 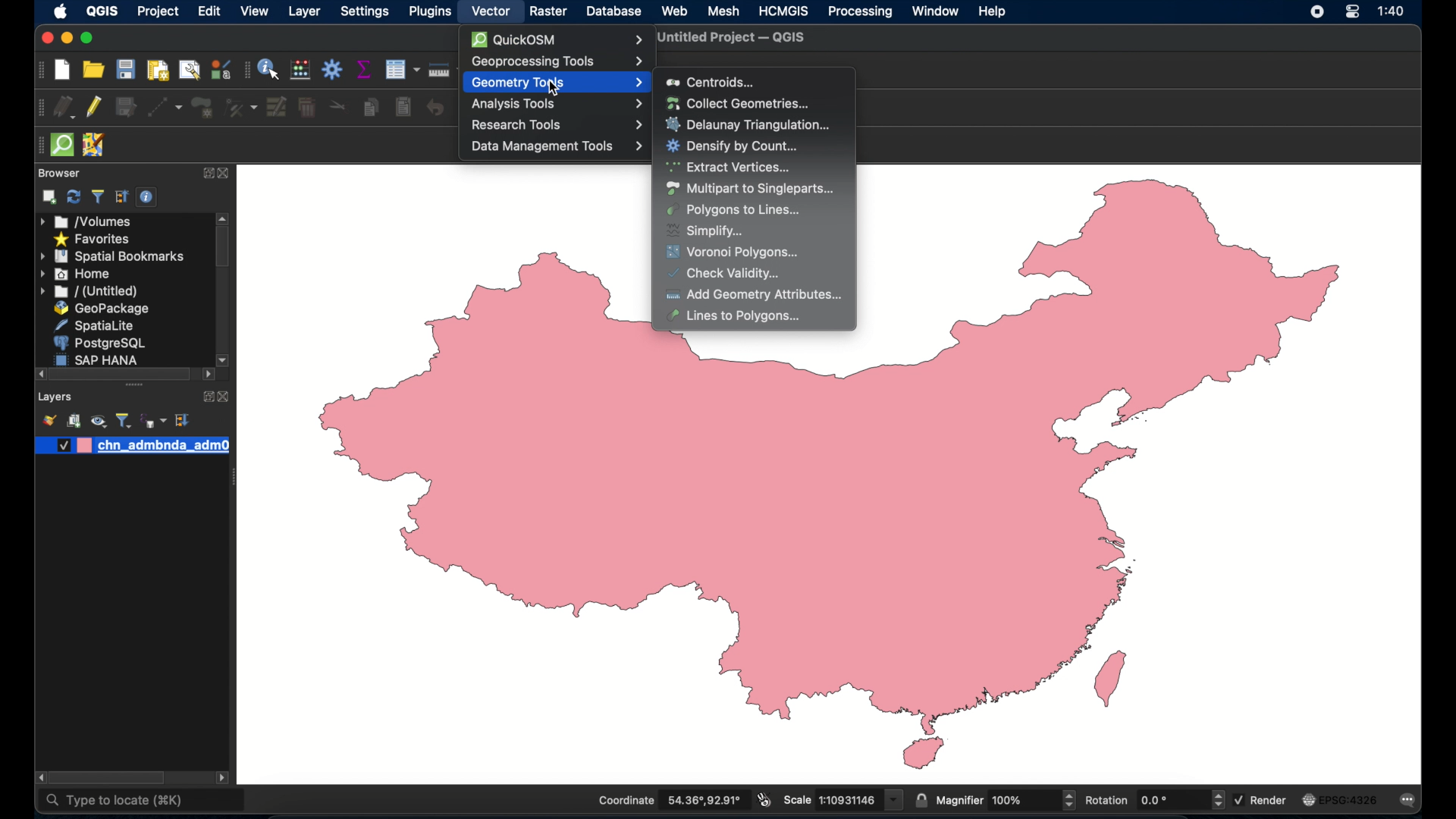 What do you see at coordinates (63, 70) in the screenshot?
I see `new project` at bounding box center [63, 70].